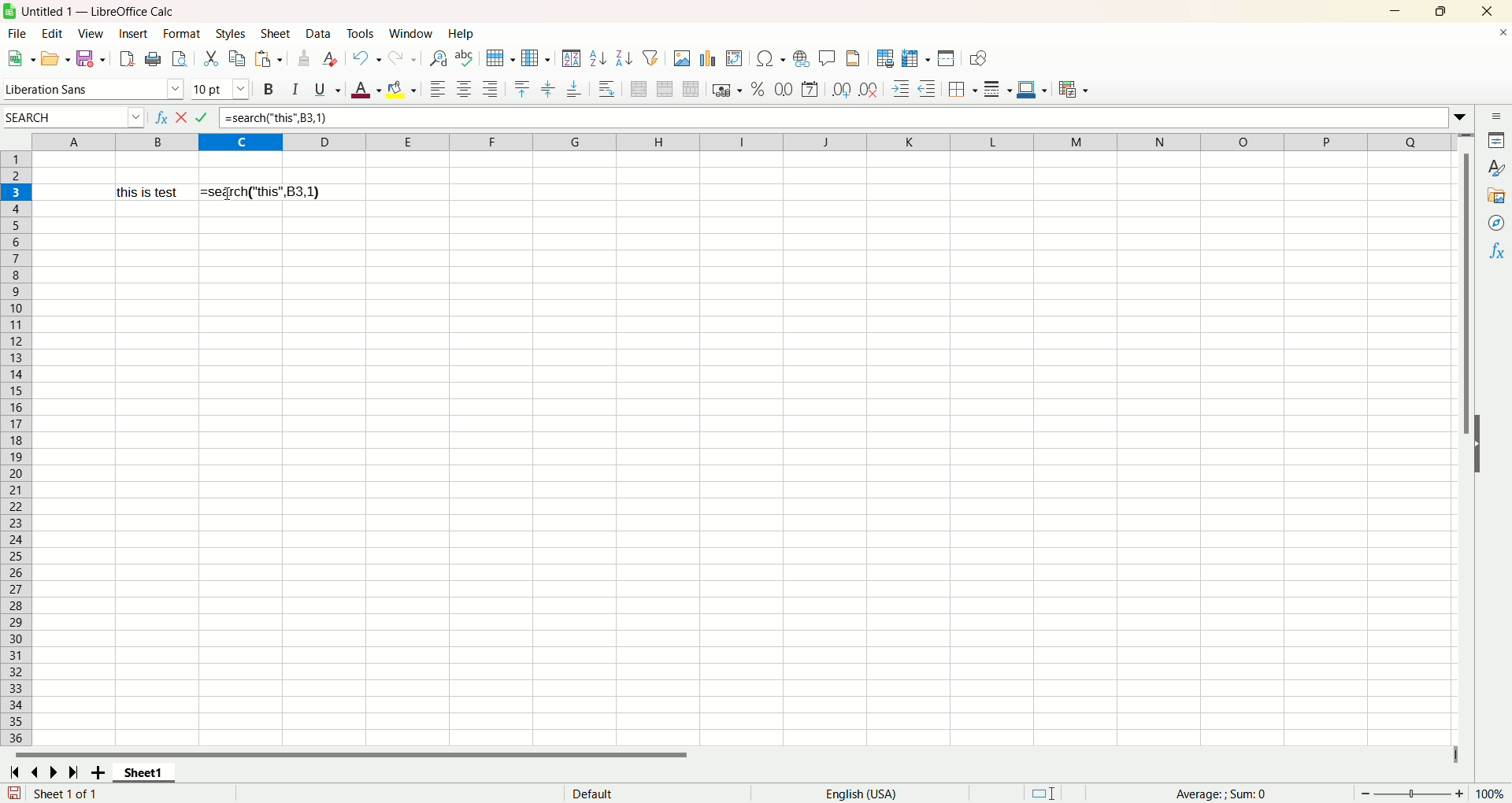  Describe the element at coordinates (801, 58) in the screenshot. I see `insert hyperlink` at that location.